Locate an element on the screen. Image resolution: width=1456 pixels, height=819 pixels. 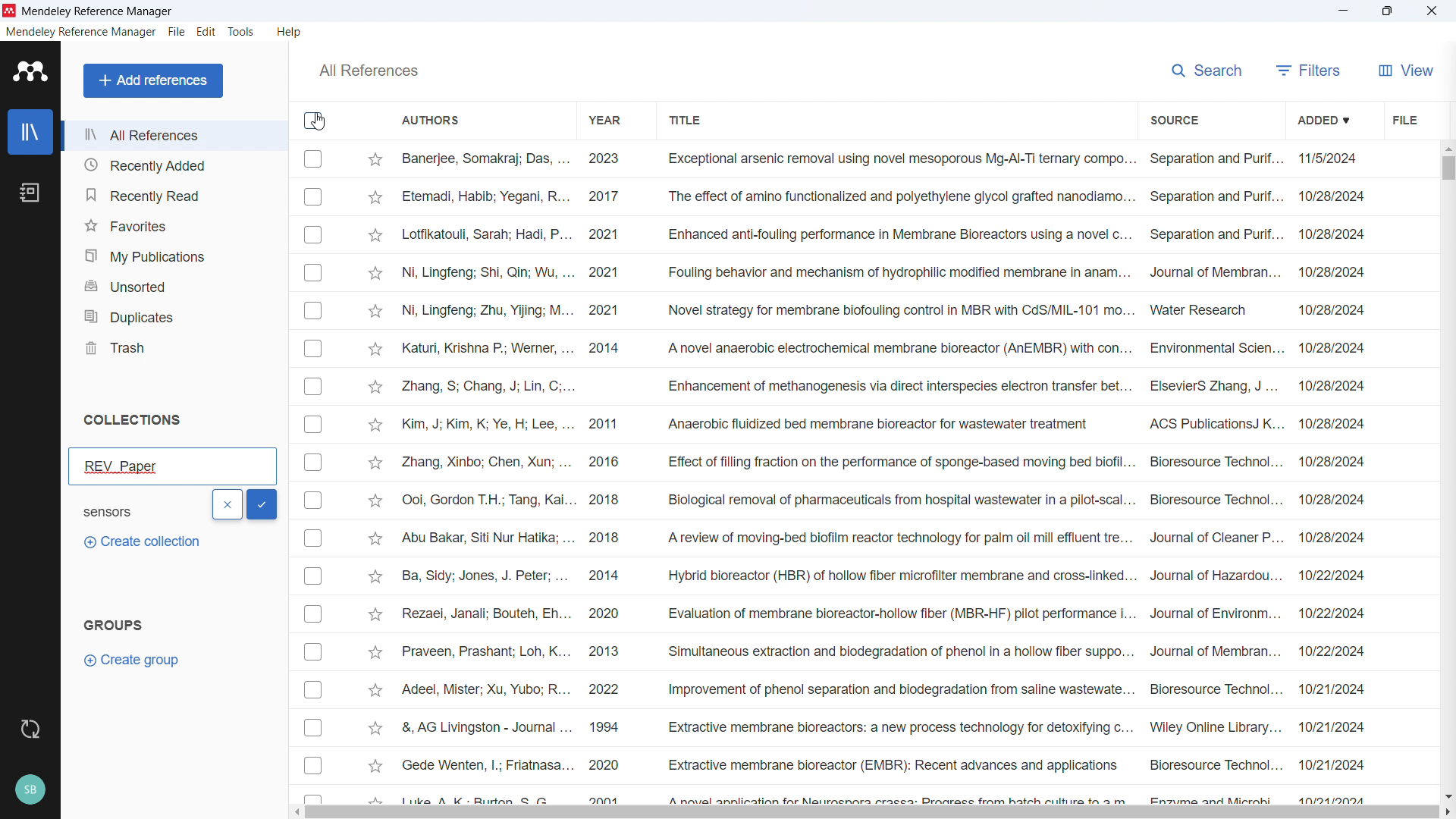
Star mark respective publication is located at coordinates (375, 388).